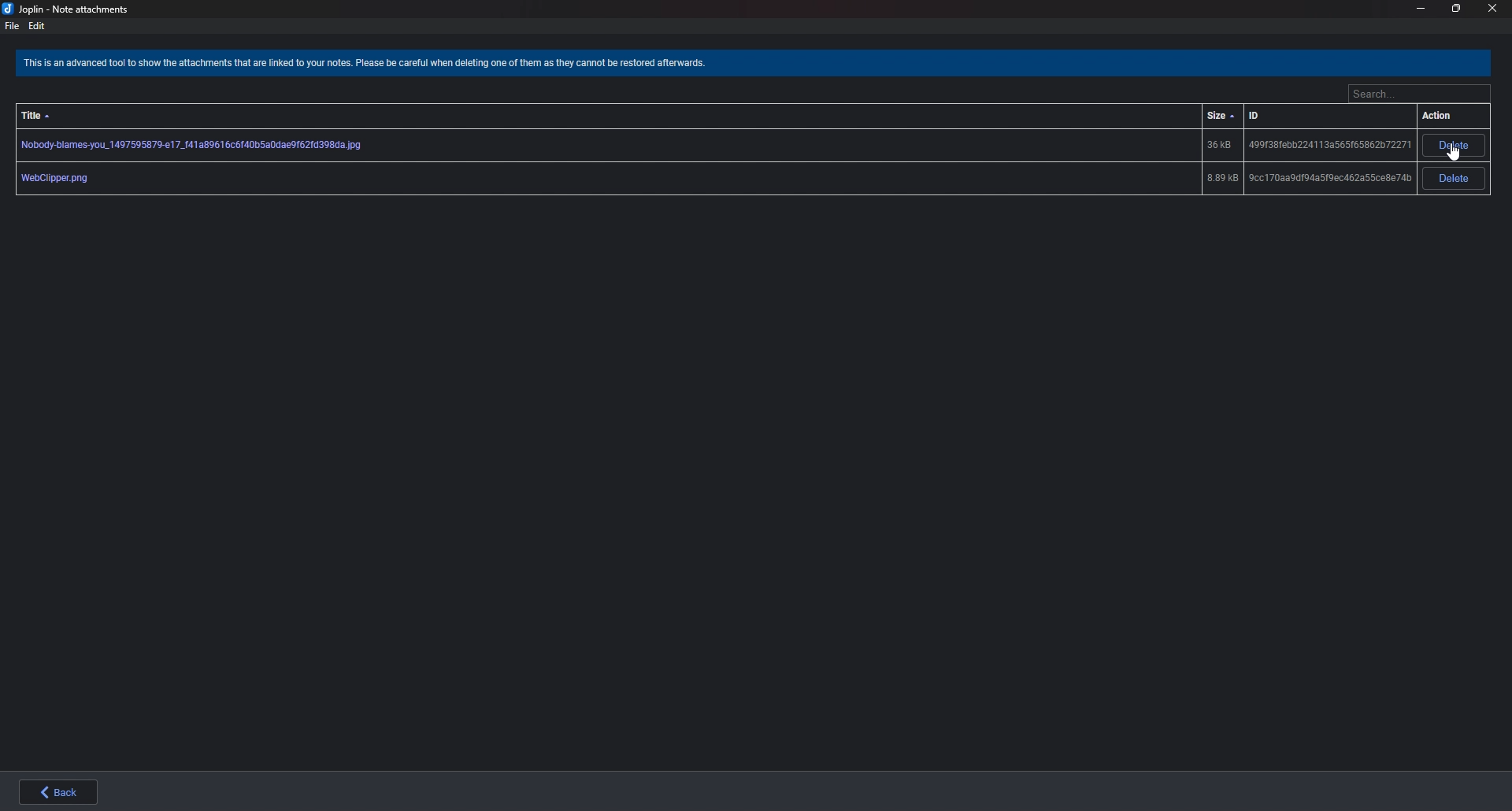 Image resolution: width=1512 pixels, height=811 pixels. Describe the element at coordinates (372, 65) in the screenshot. I see `warning` at that location.